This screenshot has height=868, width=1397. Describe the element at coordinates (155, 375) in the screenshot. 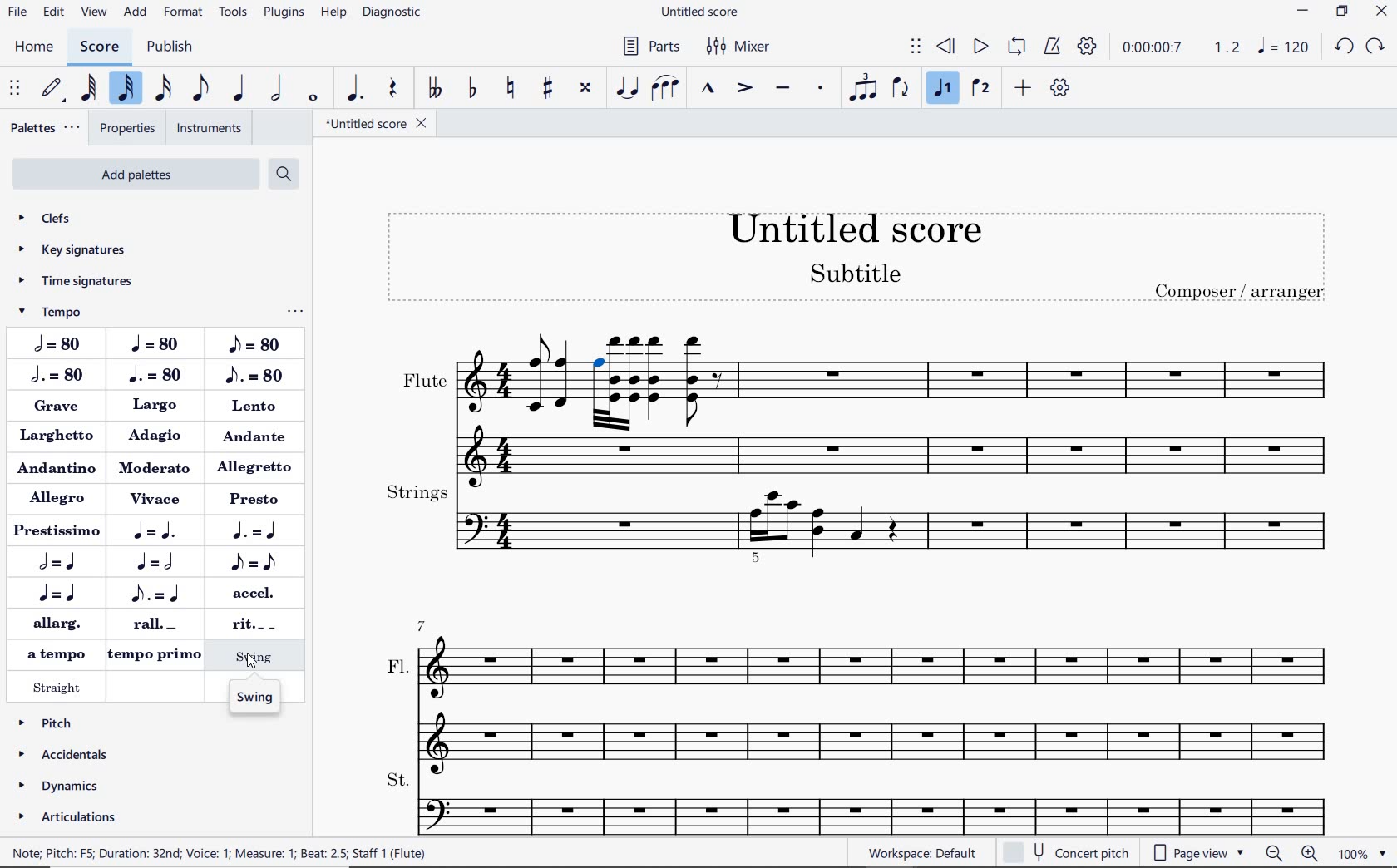

I see `DOTTED QUARTER NOTE` at that location.